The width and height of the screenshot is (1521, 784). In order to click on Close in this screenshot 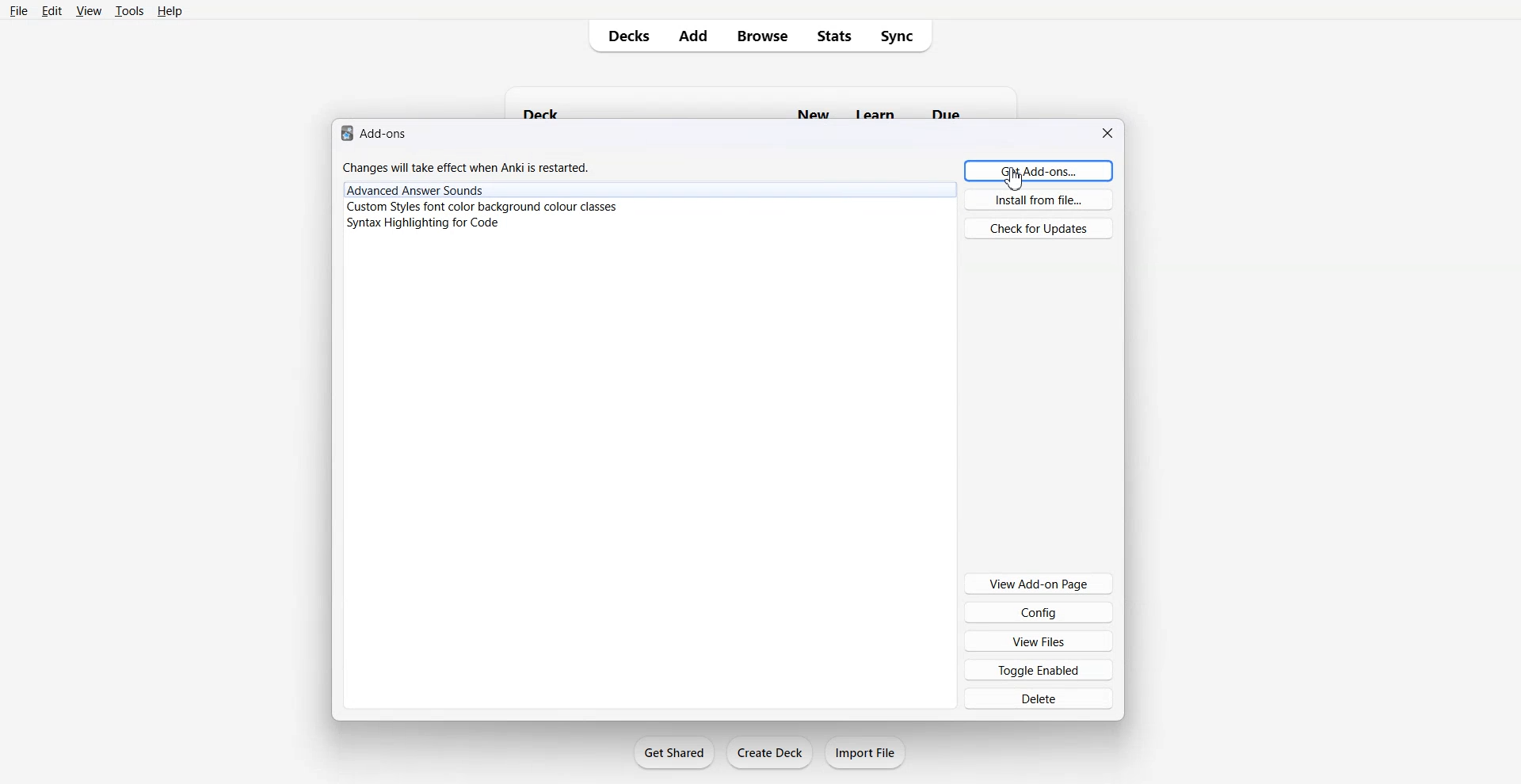, I will do `click(1109, 133)`.